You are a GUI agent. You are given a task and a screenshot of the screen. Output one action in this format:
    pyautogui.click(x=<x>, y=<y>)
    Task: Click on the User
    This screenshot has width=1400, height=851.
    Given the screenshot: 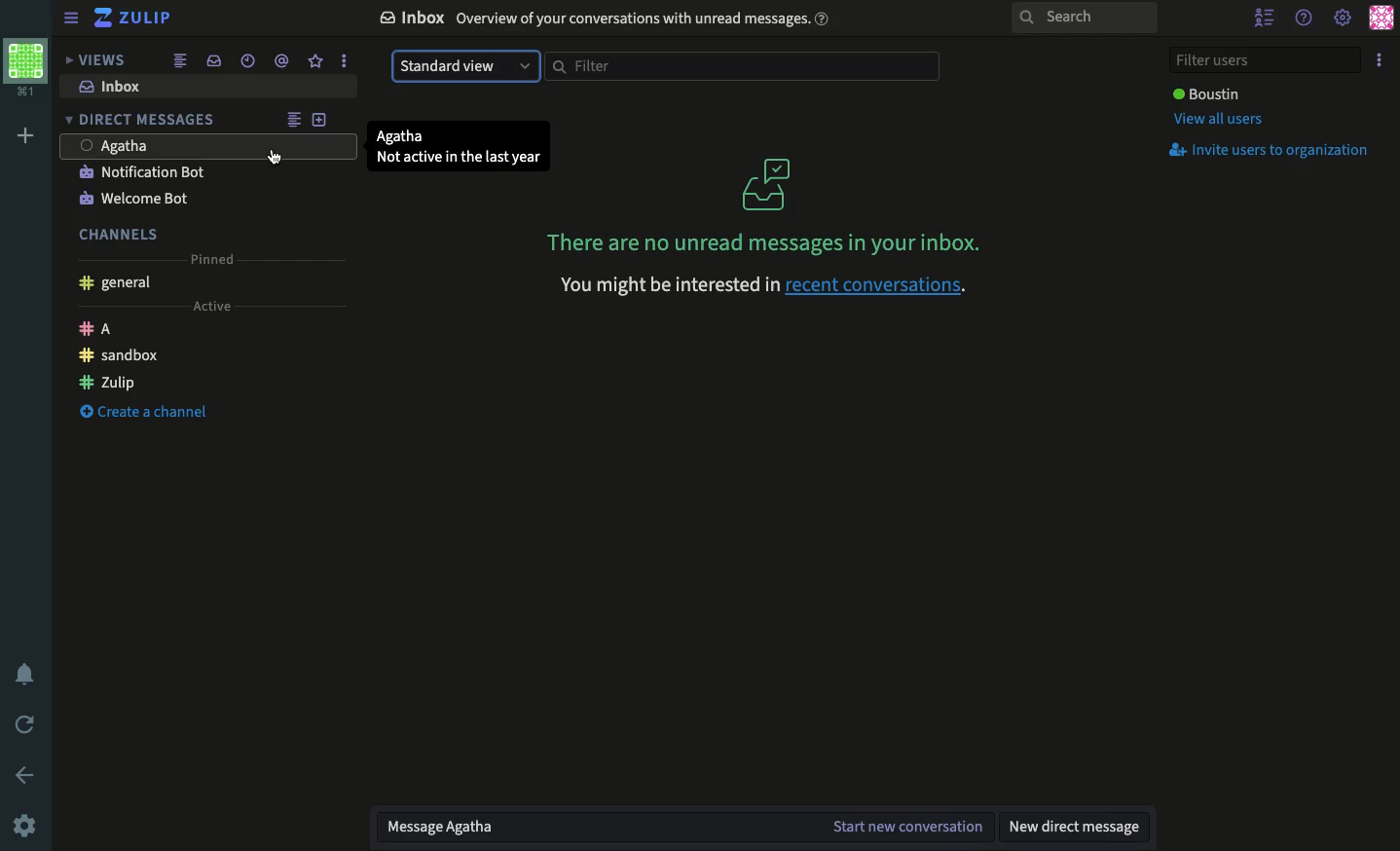 What is the action you would take?
    pyautogui.click(x=453, y=150)
    